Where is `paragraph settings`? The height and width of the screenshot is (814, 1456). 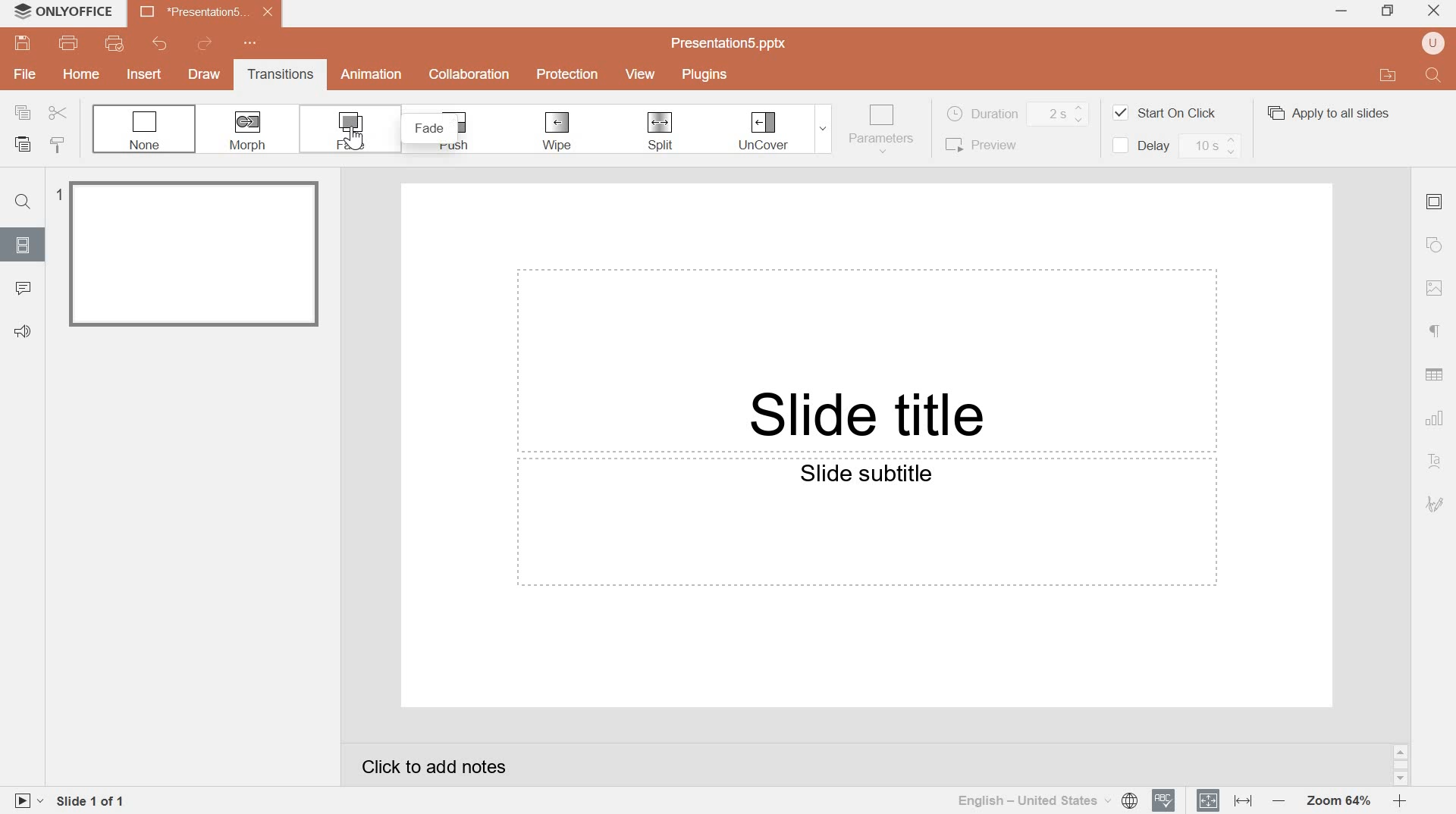
paragraph settings is located at coordinates (1430, 332).